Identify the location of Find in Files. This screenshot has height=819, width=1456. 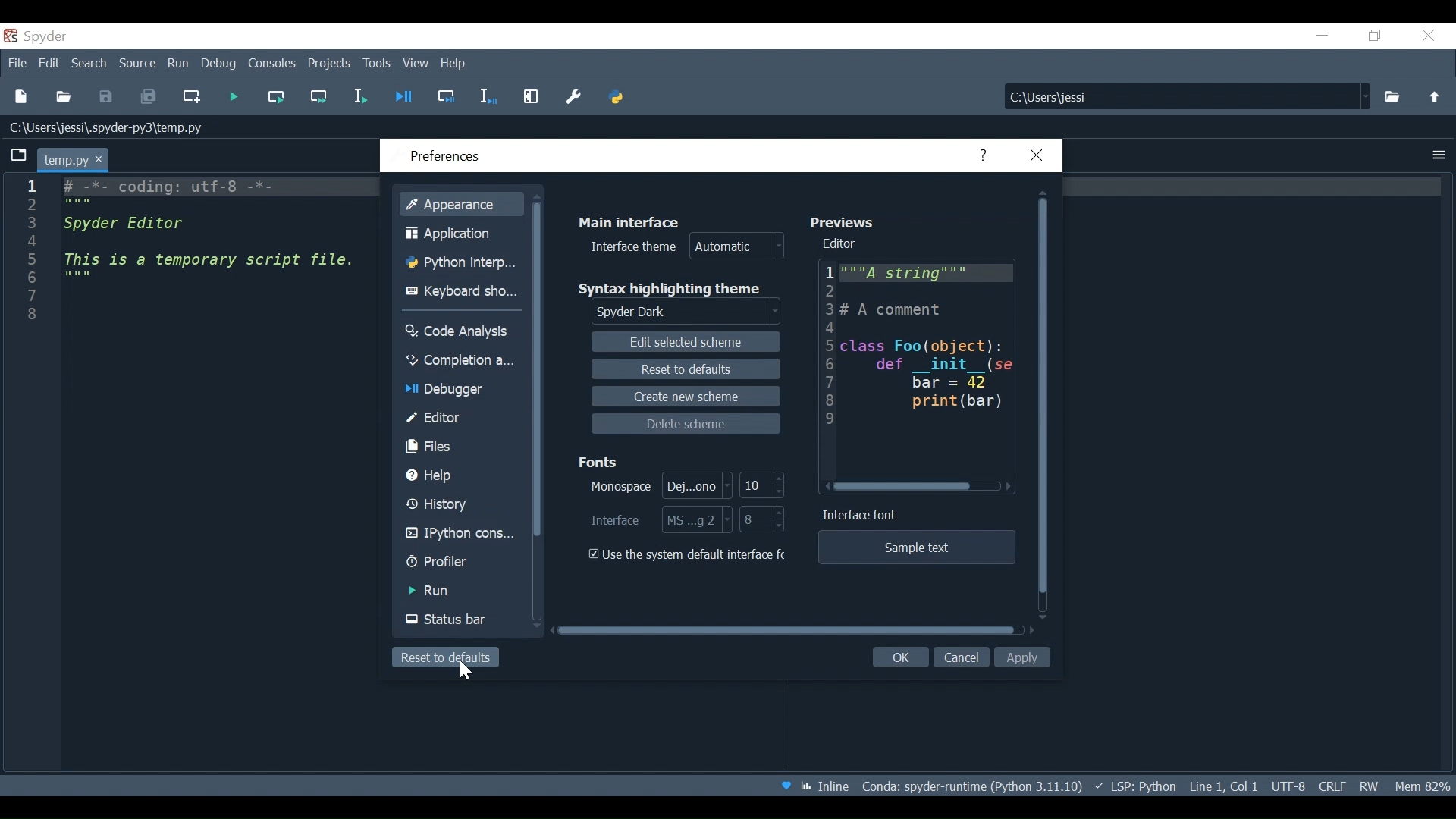
(1185, 96).